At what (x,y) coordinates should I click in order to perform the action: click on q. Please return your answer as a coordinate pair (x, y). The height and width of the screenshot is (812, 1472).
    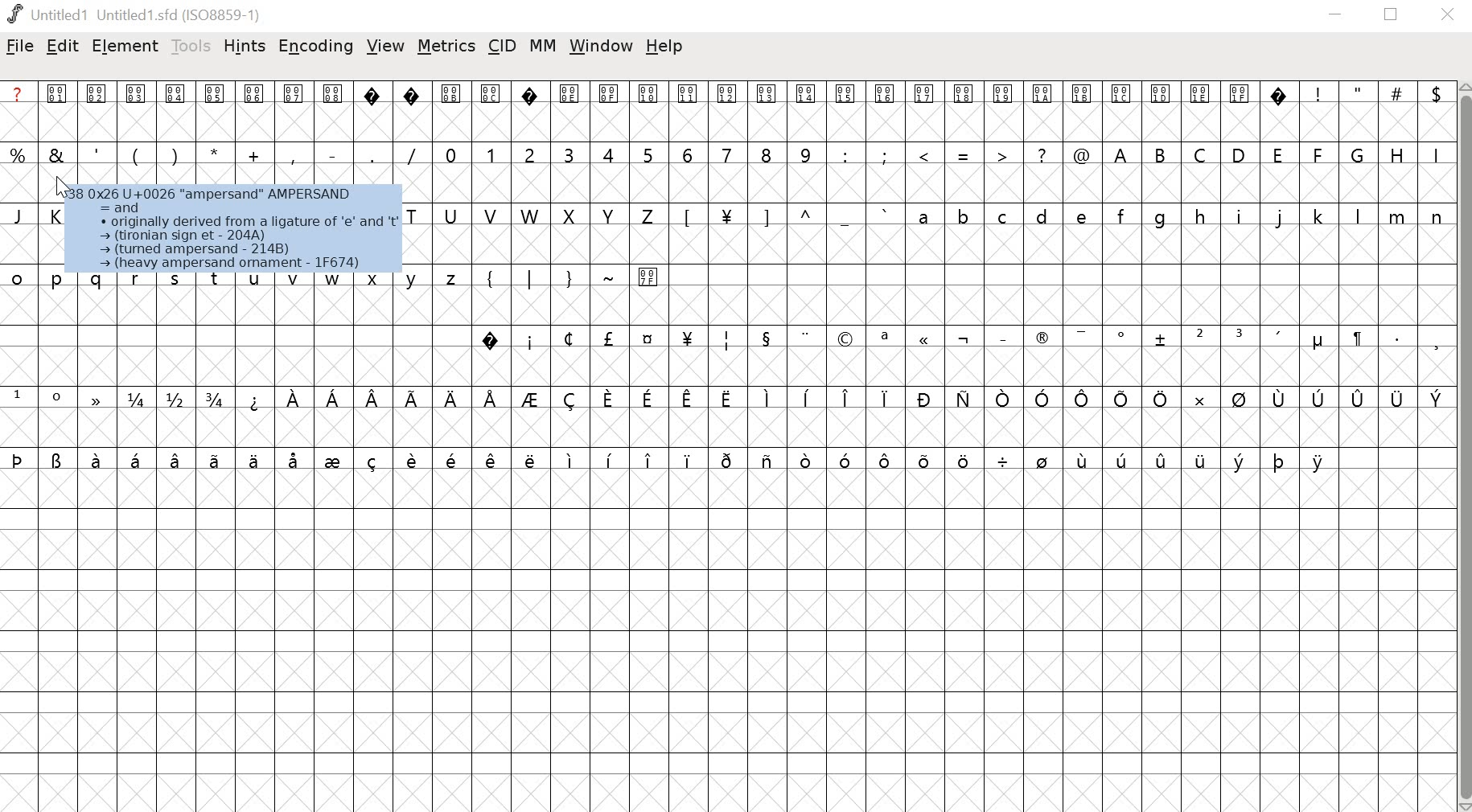
    Looking at the image, I should click on (100, 280).